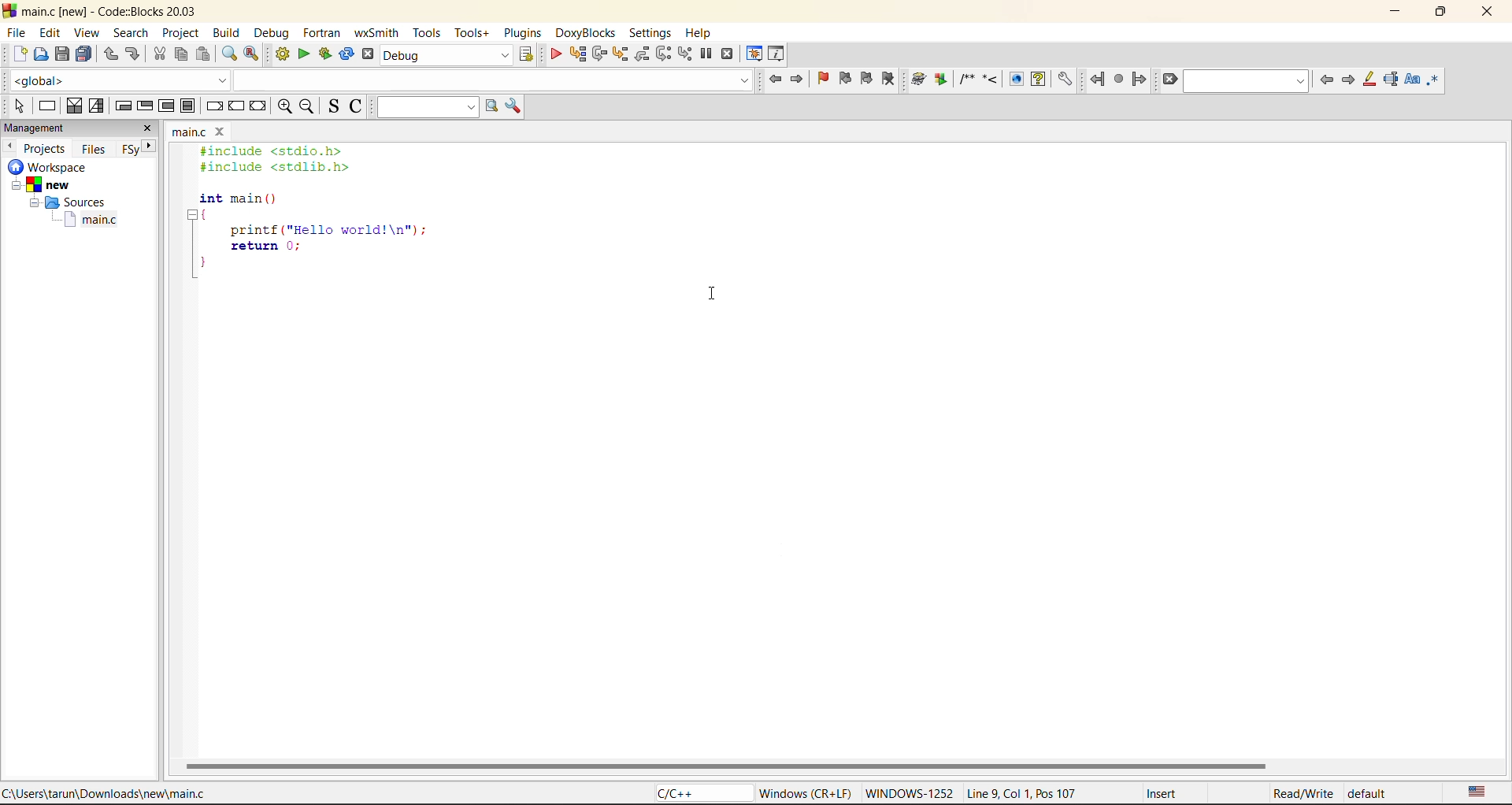 This screenshot has height=805, width=1512. Describe the element at coordinates (528, 55) in the screenshot. I see `show select target dialog` at that location.